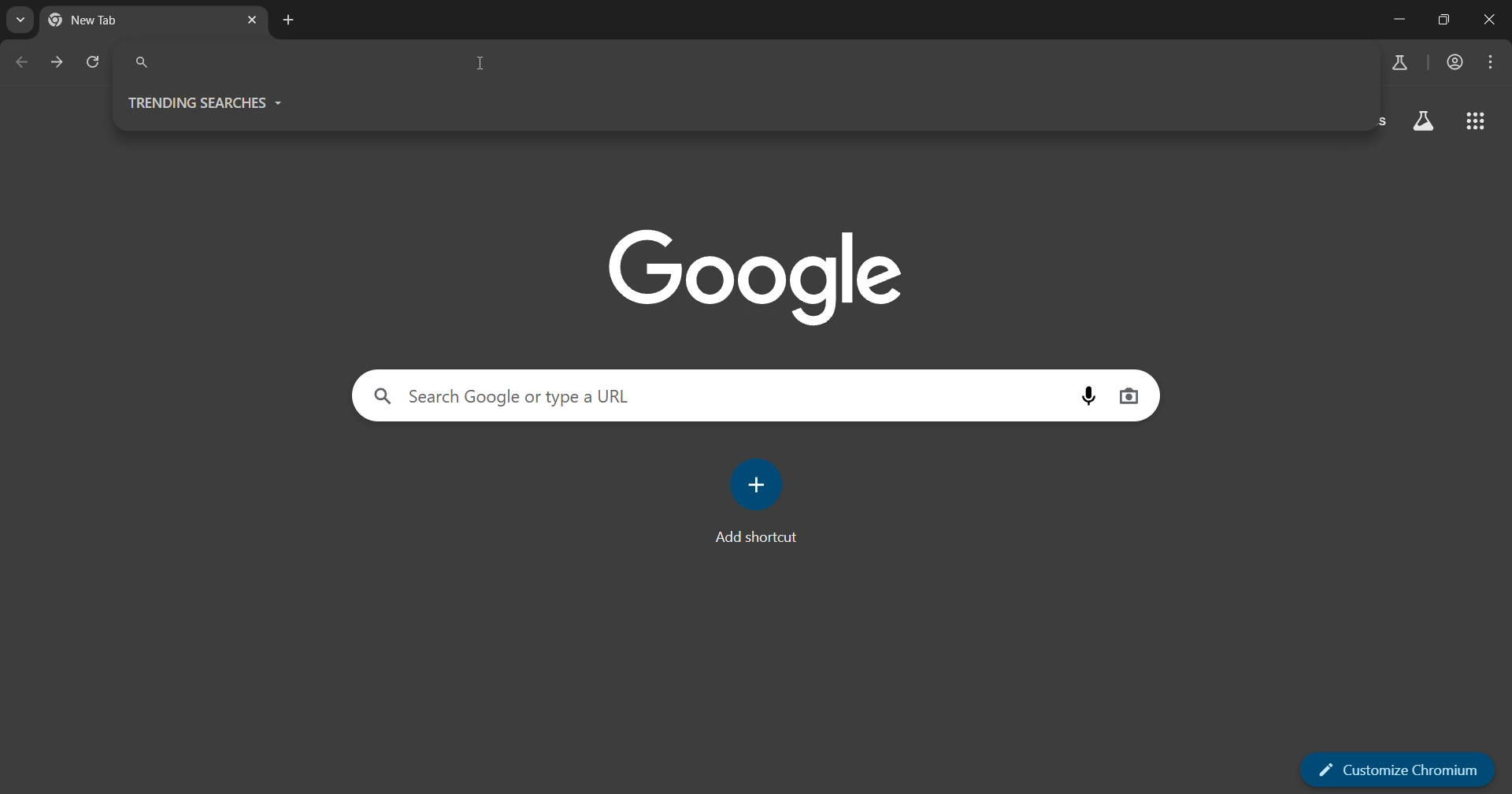  What do you see at coordinates (1442, 21) in the screenshot?
I see `restore down` at bounding box center [1442, 21].